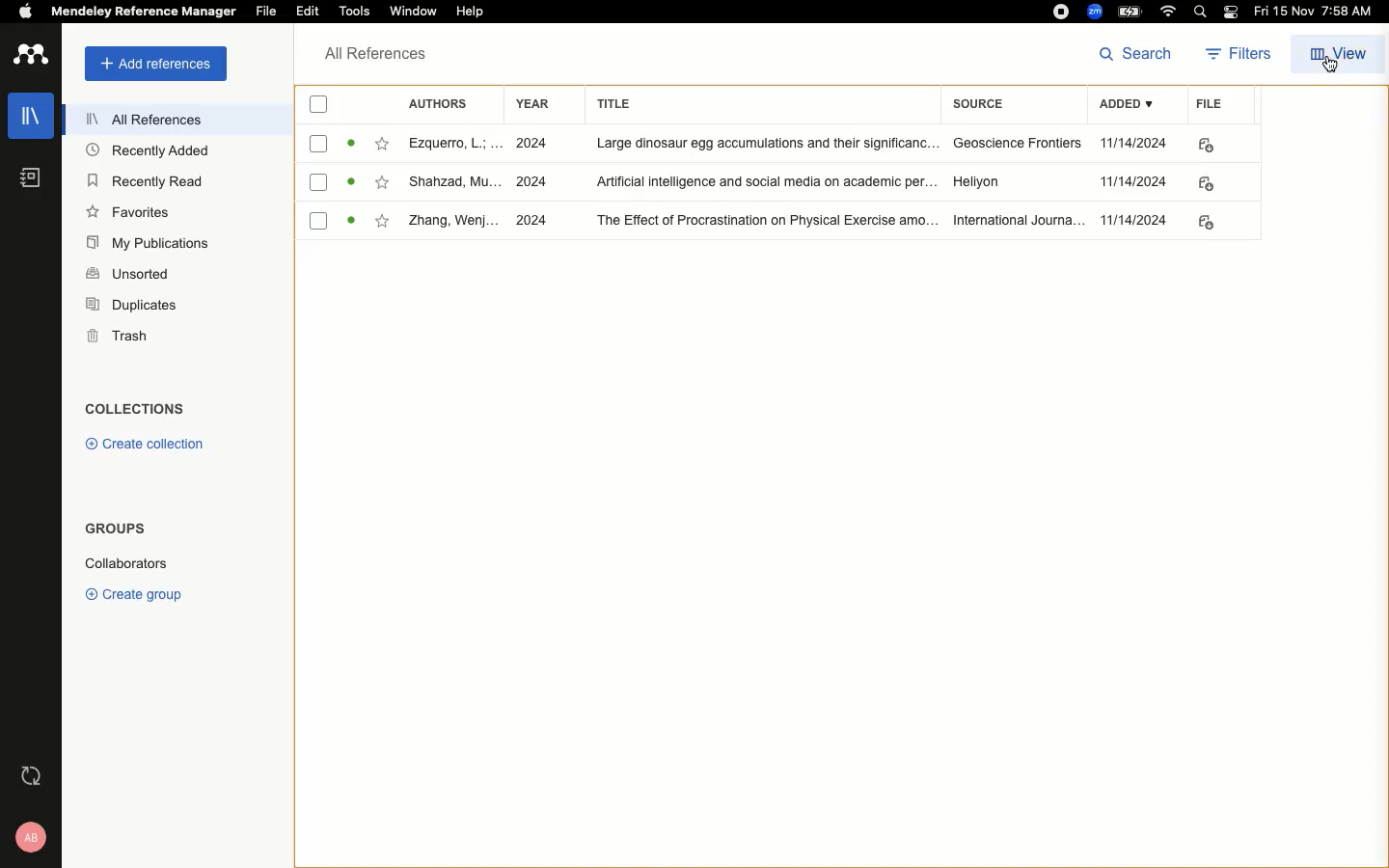 This screenshot has height=868, width=1389. What do you see at coordinates (110, 336) in the screenshot?
I see `Trash` at bounding box center [110, 336].